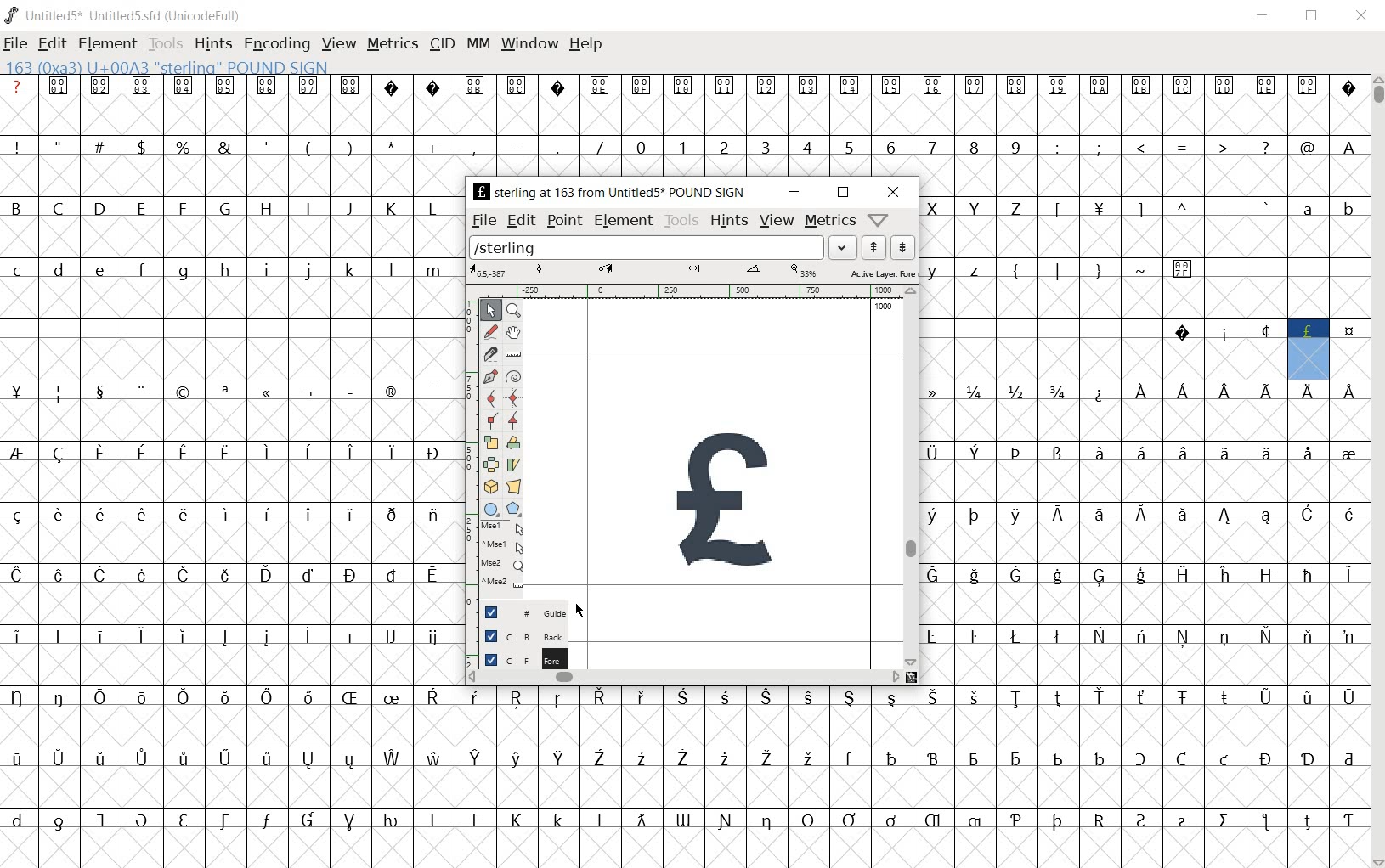 This screenshot has width=1385, height=868. Describe the element at coordinates (505, 528) in the screenshot. I see `Mouse left button` at that location.